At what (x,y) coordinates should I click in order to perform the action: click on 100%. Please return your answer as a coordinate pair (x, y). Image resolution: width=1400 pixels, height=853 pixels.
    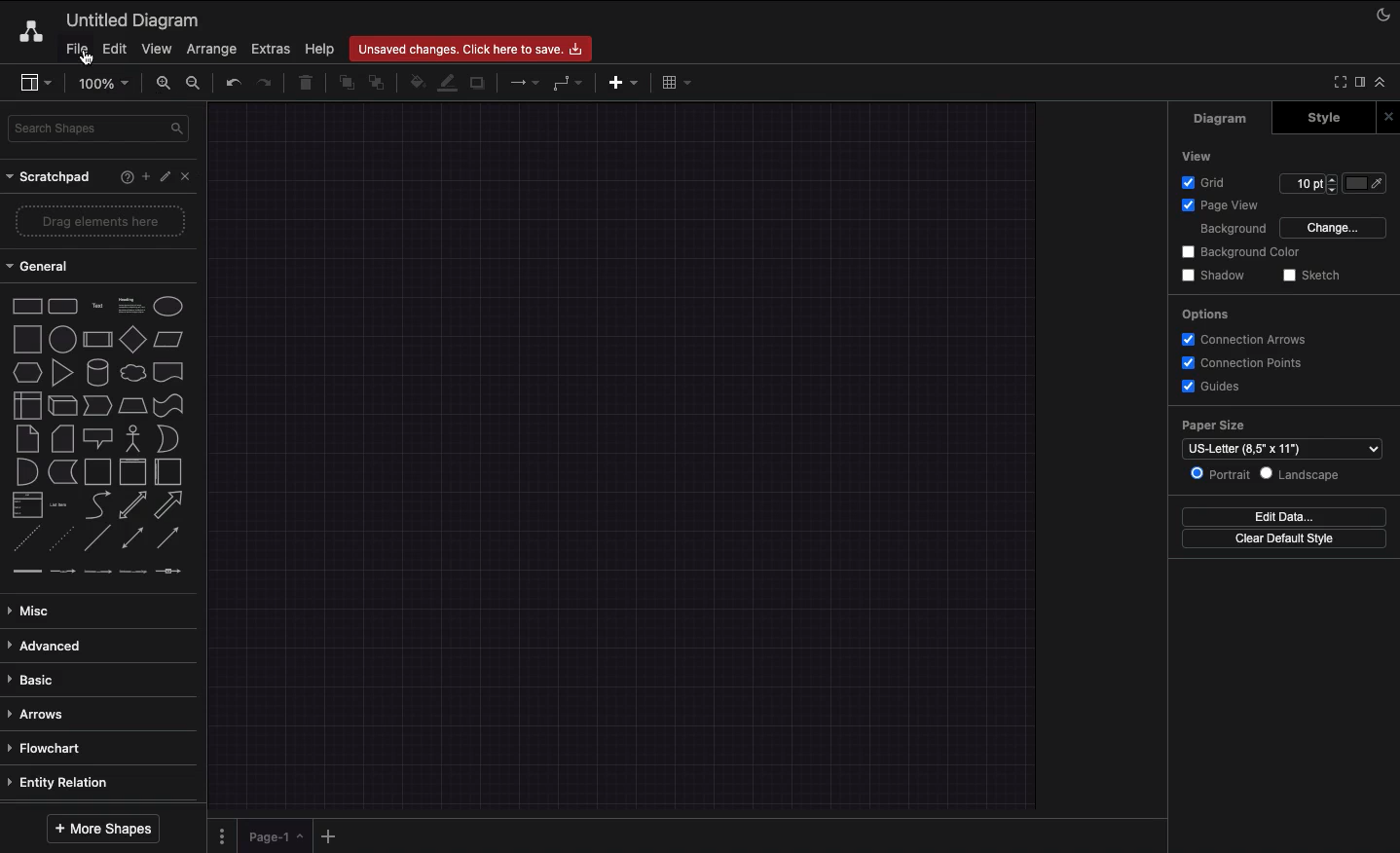
    Looking at the image, I should click on (106, 84).